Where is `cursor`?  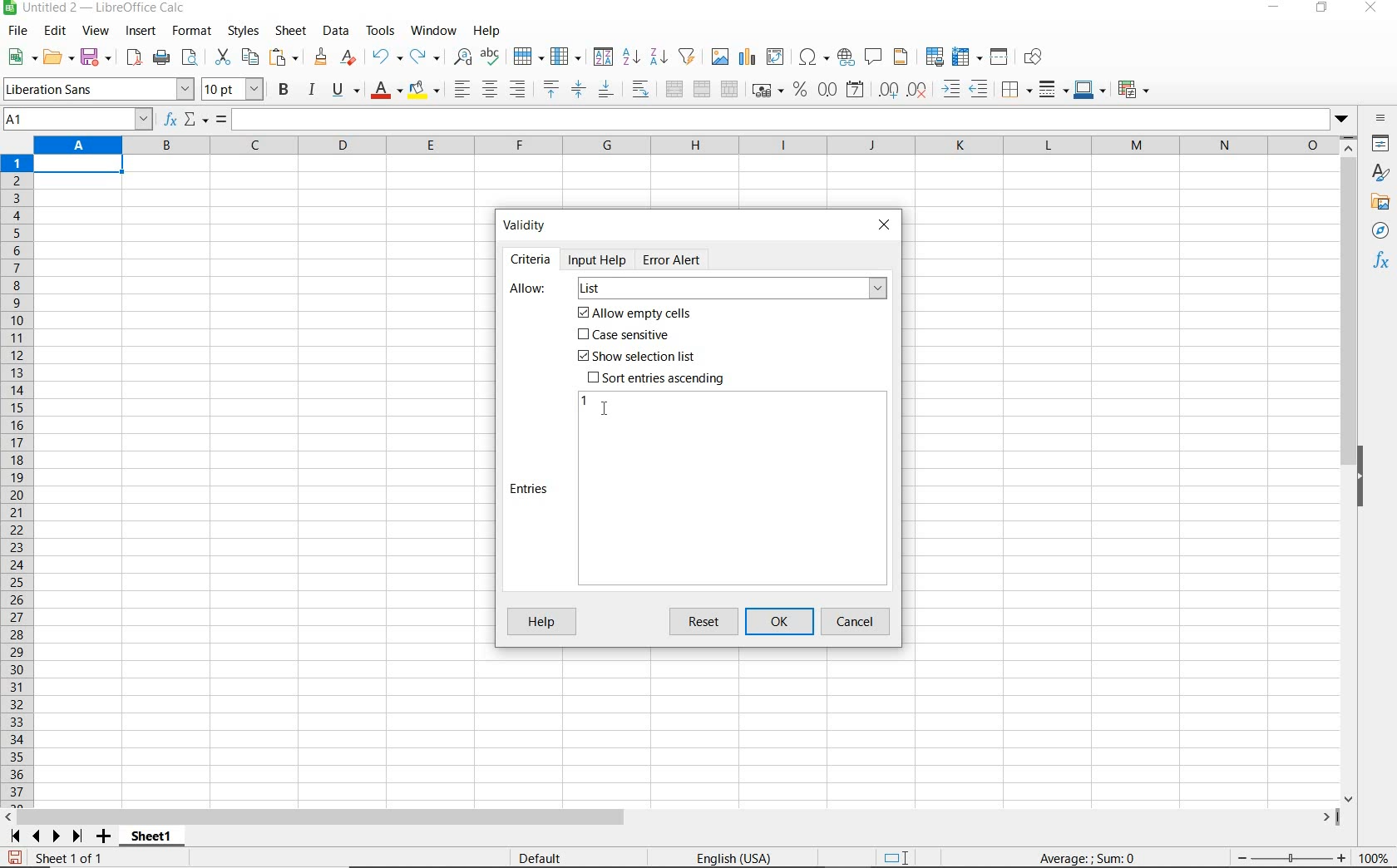
cursor is located at coordinates (607, 408).